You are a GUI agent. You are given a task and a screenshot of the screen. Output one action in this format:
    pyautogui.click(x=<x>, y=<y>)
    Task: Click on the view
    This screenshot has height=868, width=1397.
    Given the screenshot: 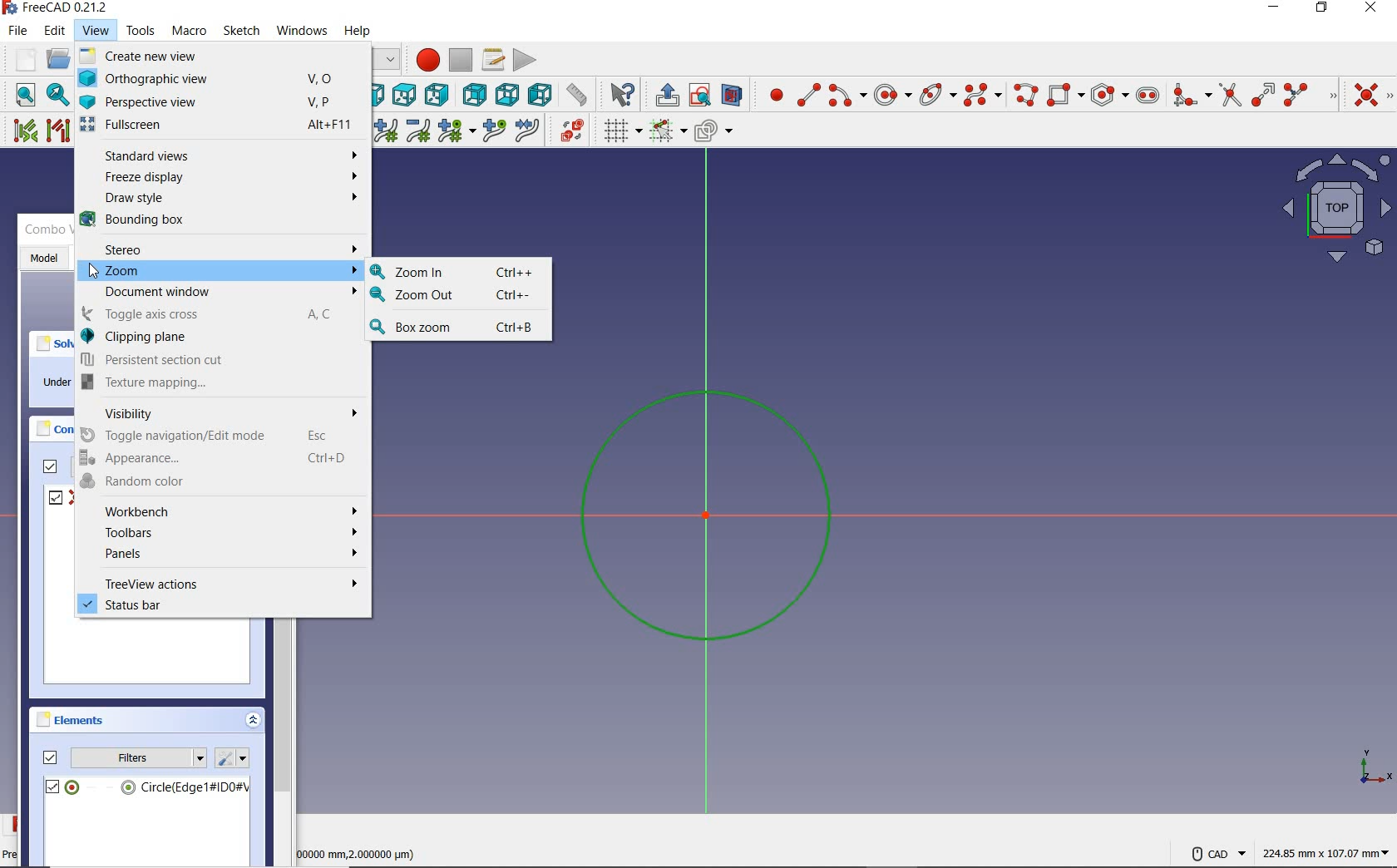 What is the action you would take?
    pyautogui.click(x=95, y=32)
    